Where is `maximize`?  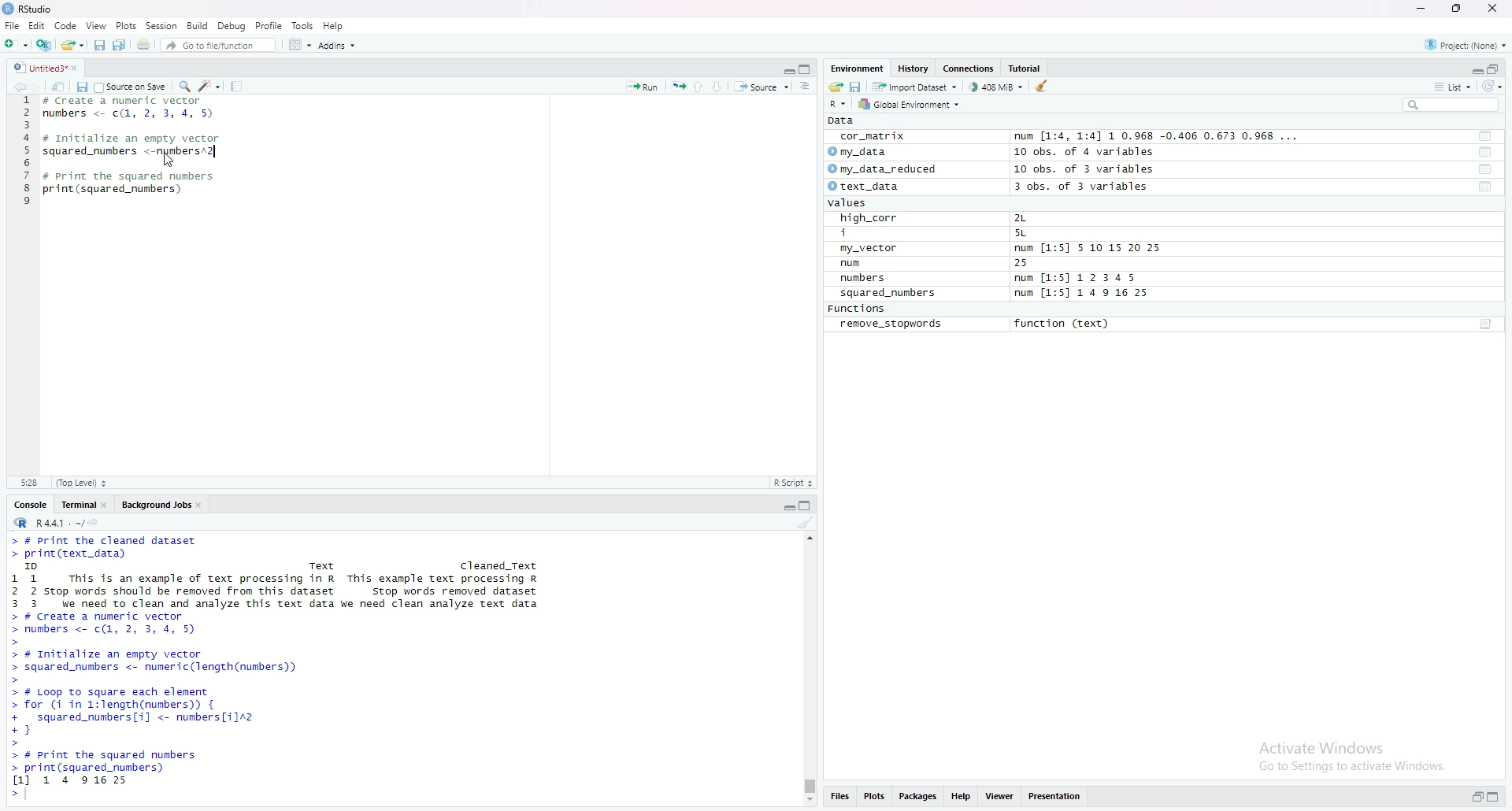 maximize is located at coordinates (1458, 9).